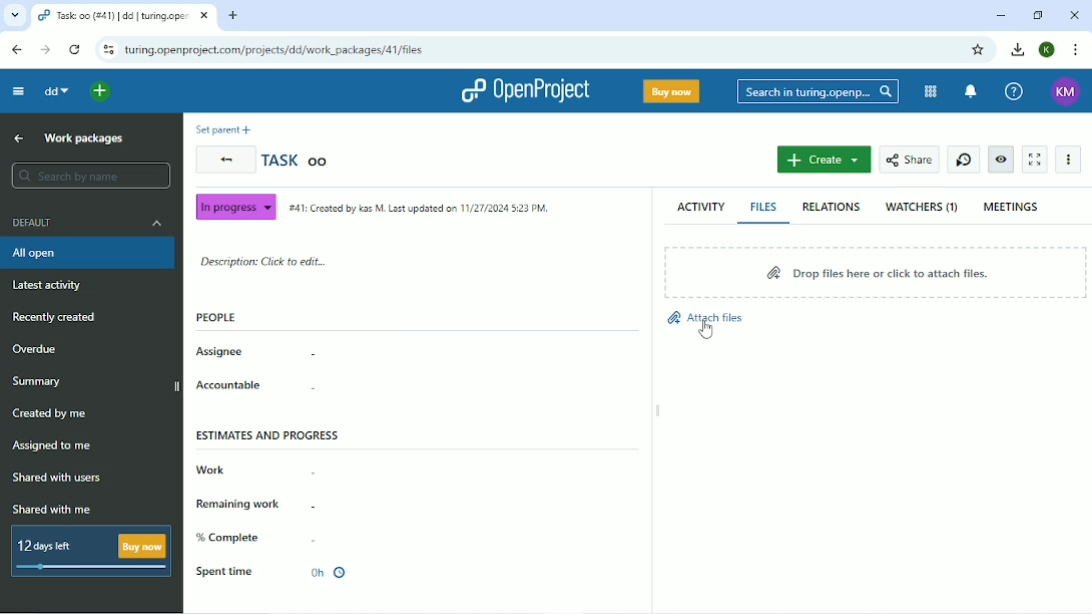 Image resolution: width=1092 pixels, height=614 pixels. I want to click on Work packages, so click(84, 139).